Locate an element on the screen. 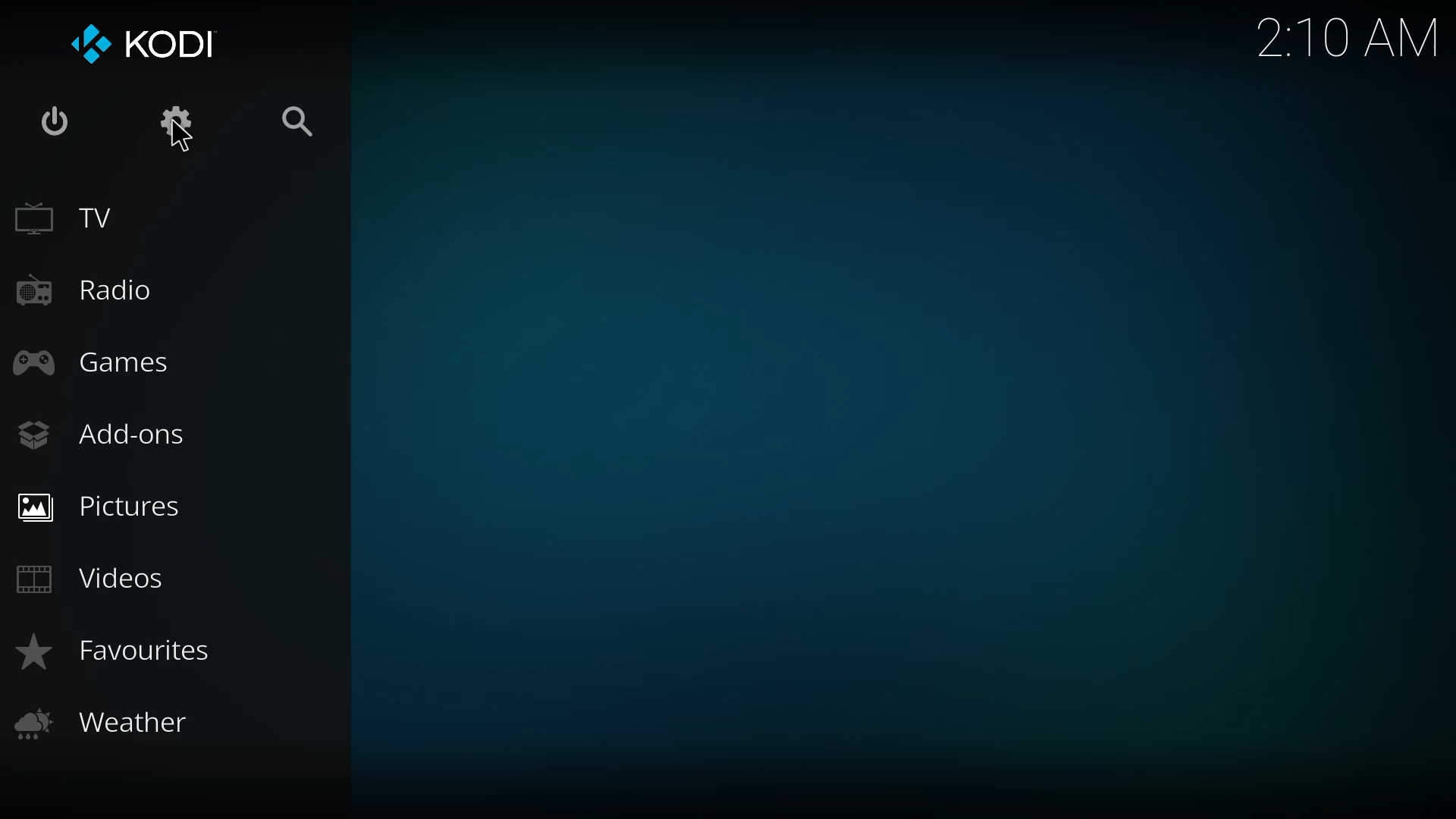 The image size is (1456, 819). time is located at coordinates (1339, 39).